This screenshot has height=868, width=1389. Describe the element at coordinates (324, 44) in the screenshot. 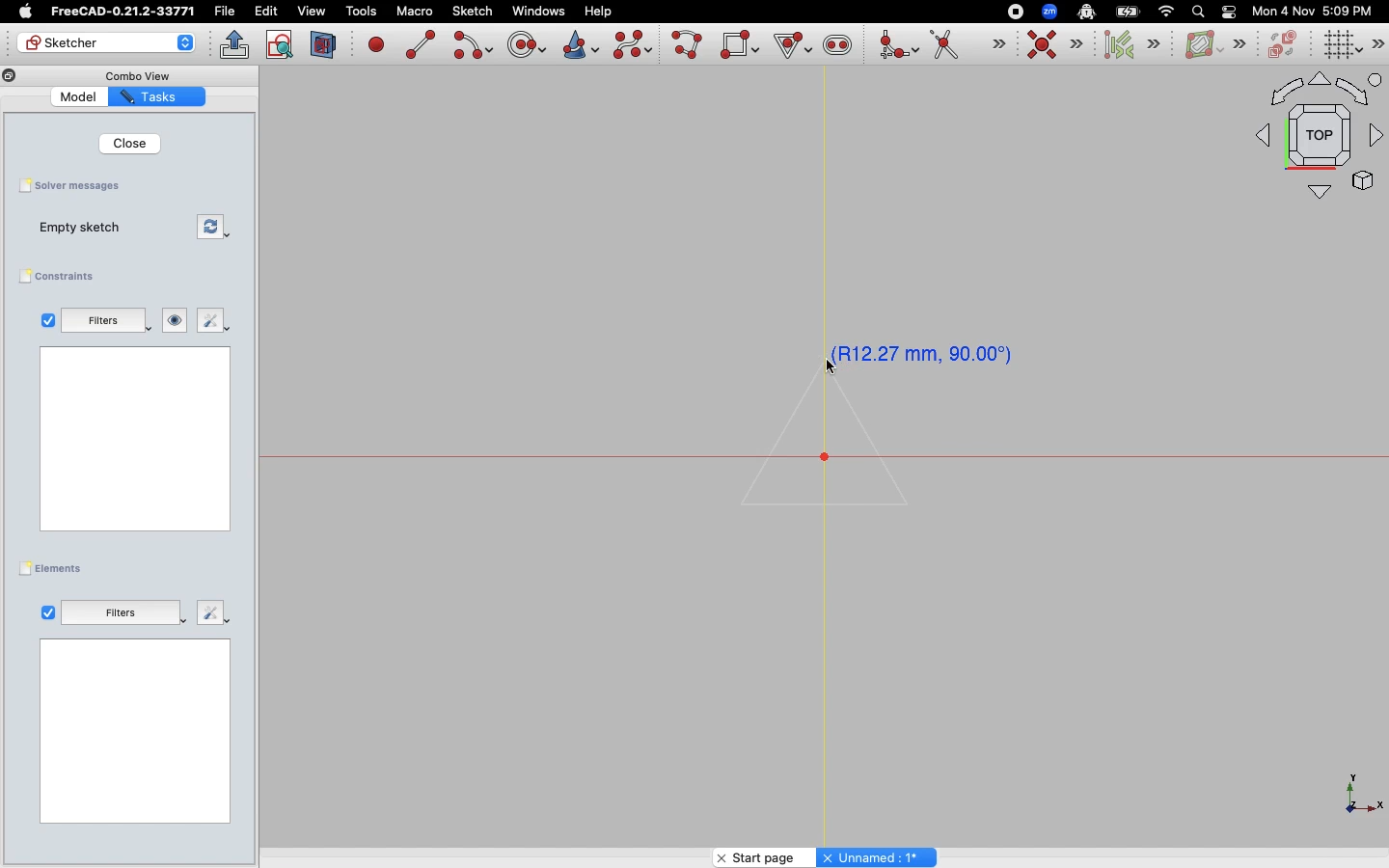

I see `View section` at that location.